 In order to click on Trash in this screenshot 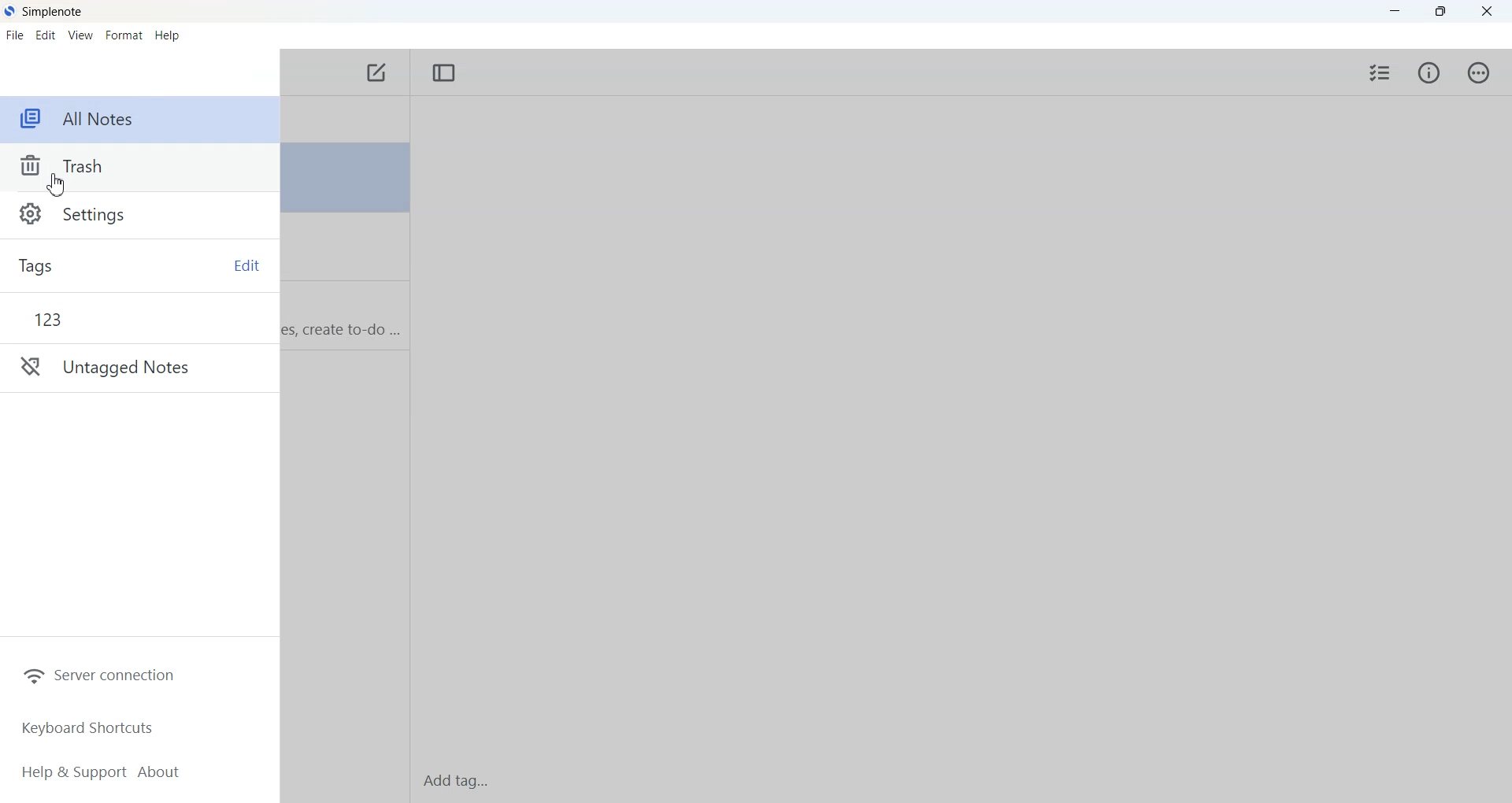, I will do `click(140, 168)`.